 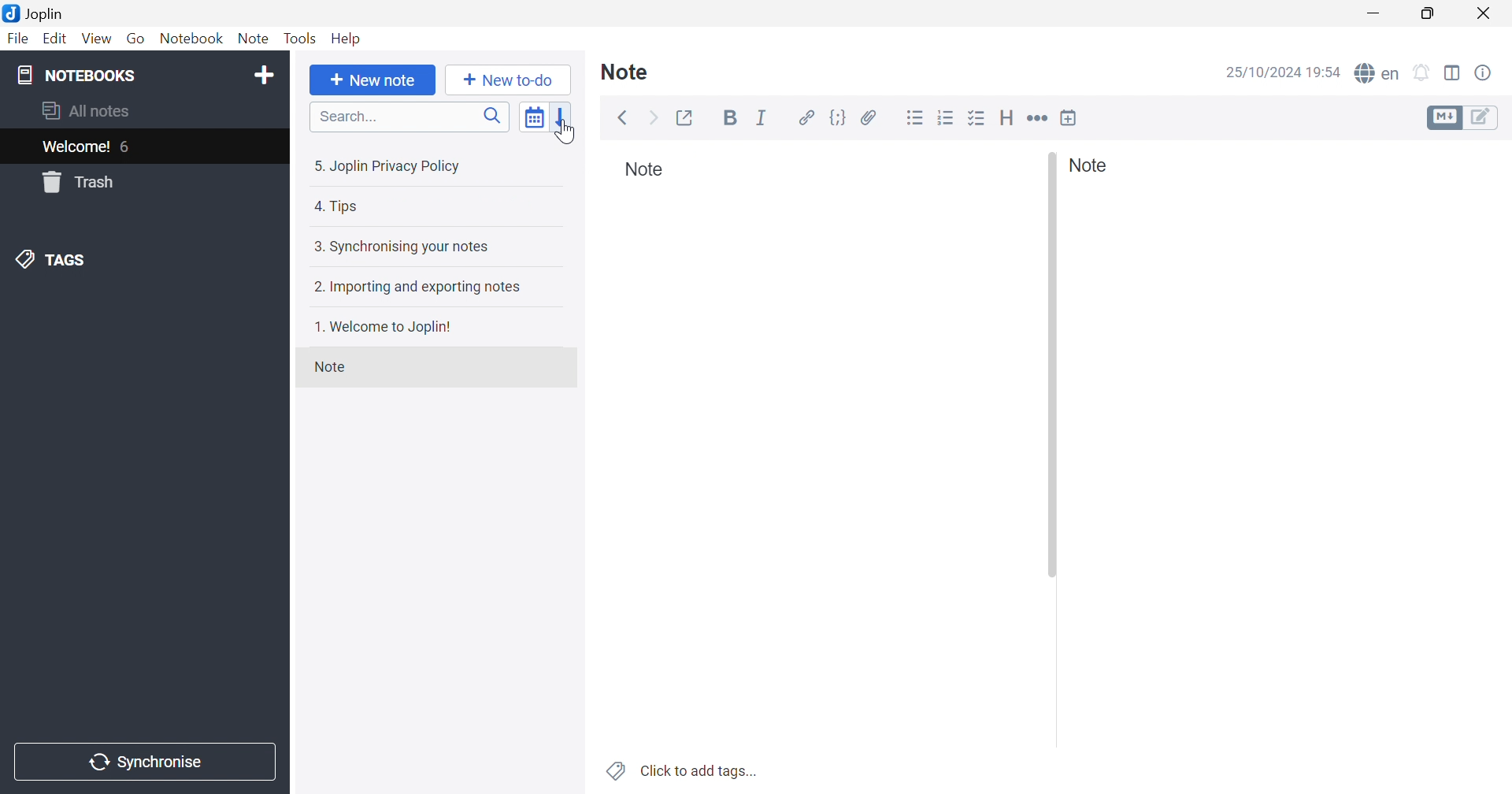 What do you see at coordinates (563, 120) in the screenshot?
I see `Reverse sort order` at bounding box center [563, 120].